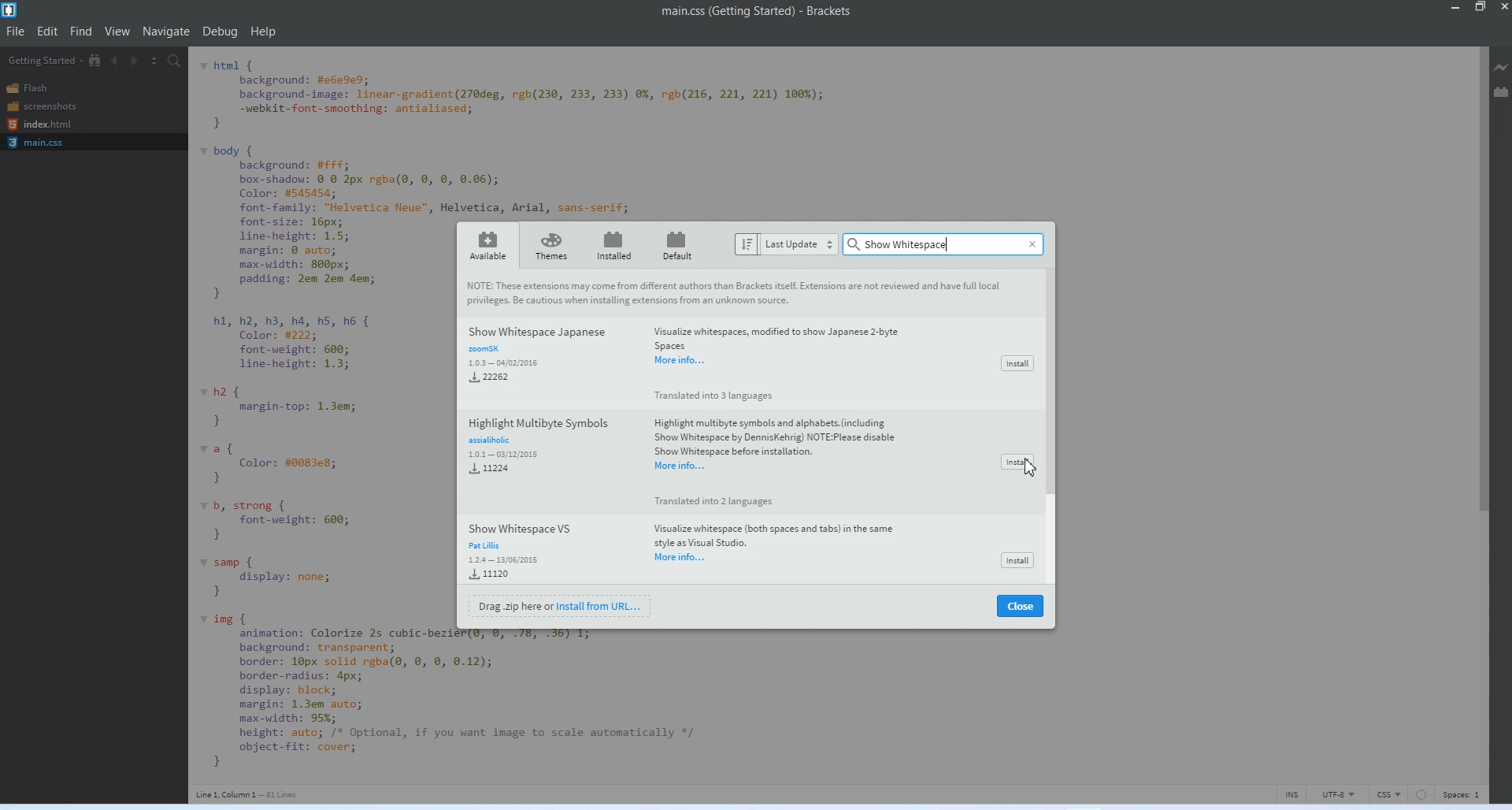  What do you see at coordinates (1021, 606) in the screenshot?
I see `Close` at bounding box center [1021, 606].